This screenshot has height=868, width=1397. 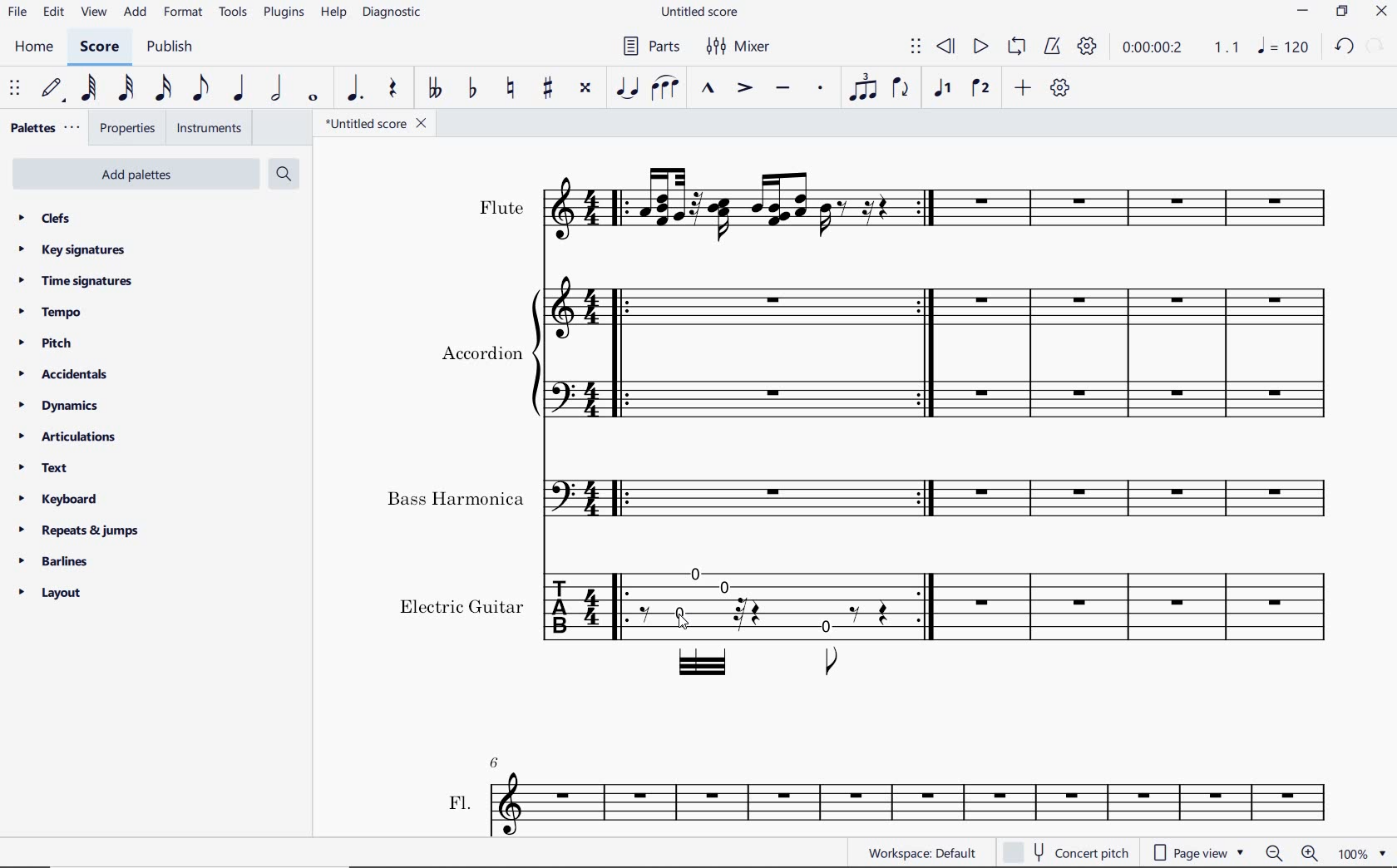 I want to click on select to move, so click(x=16, y=89).